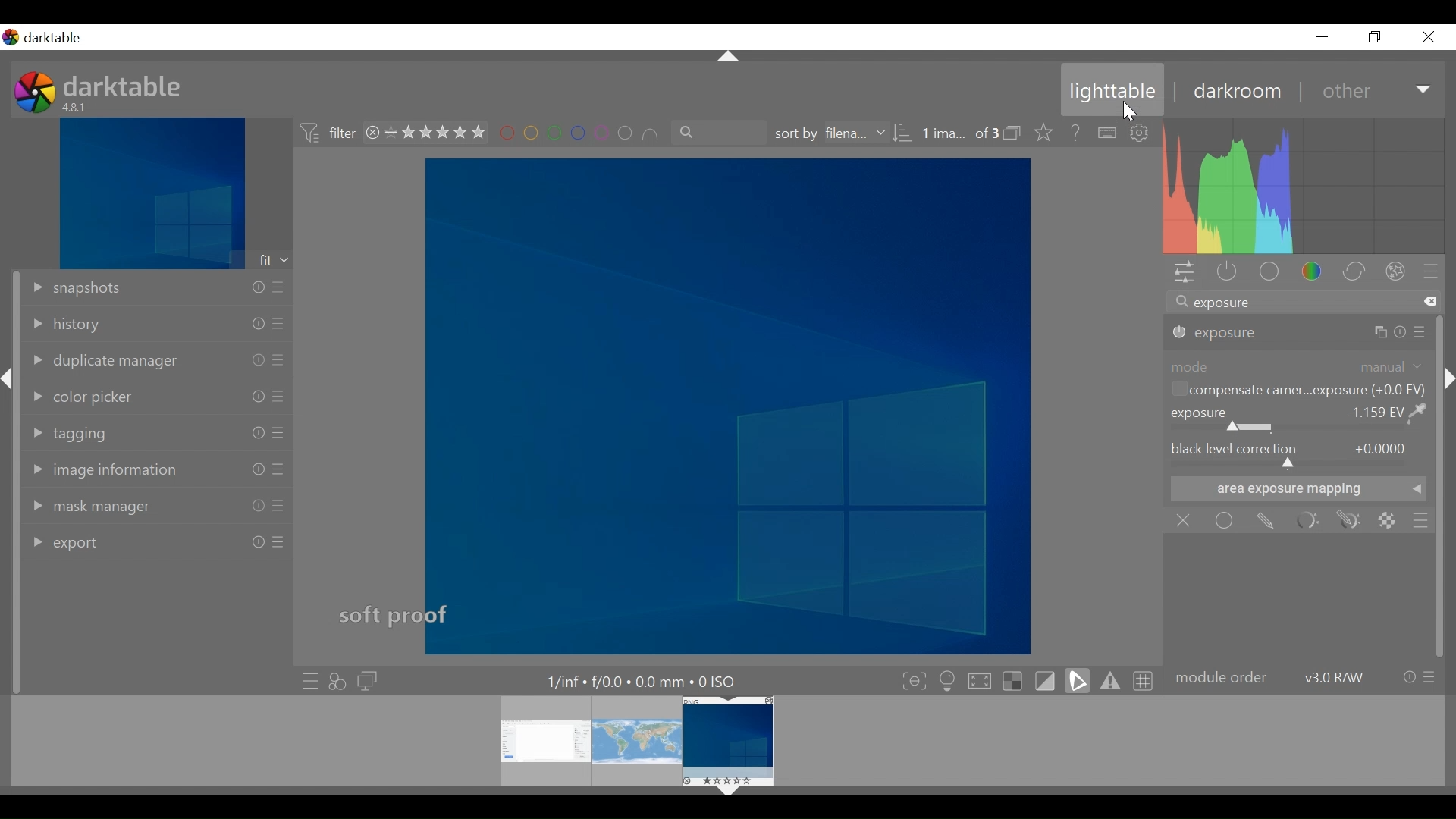 The height and width of the screenshot is (819, 1456). I want to click on other, so click(1345, 92).